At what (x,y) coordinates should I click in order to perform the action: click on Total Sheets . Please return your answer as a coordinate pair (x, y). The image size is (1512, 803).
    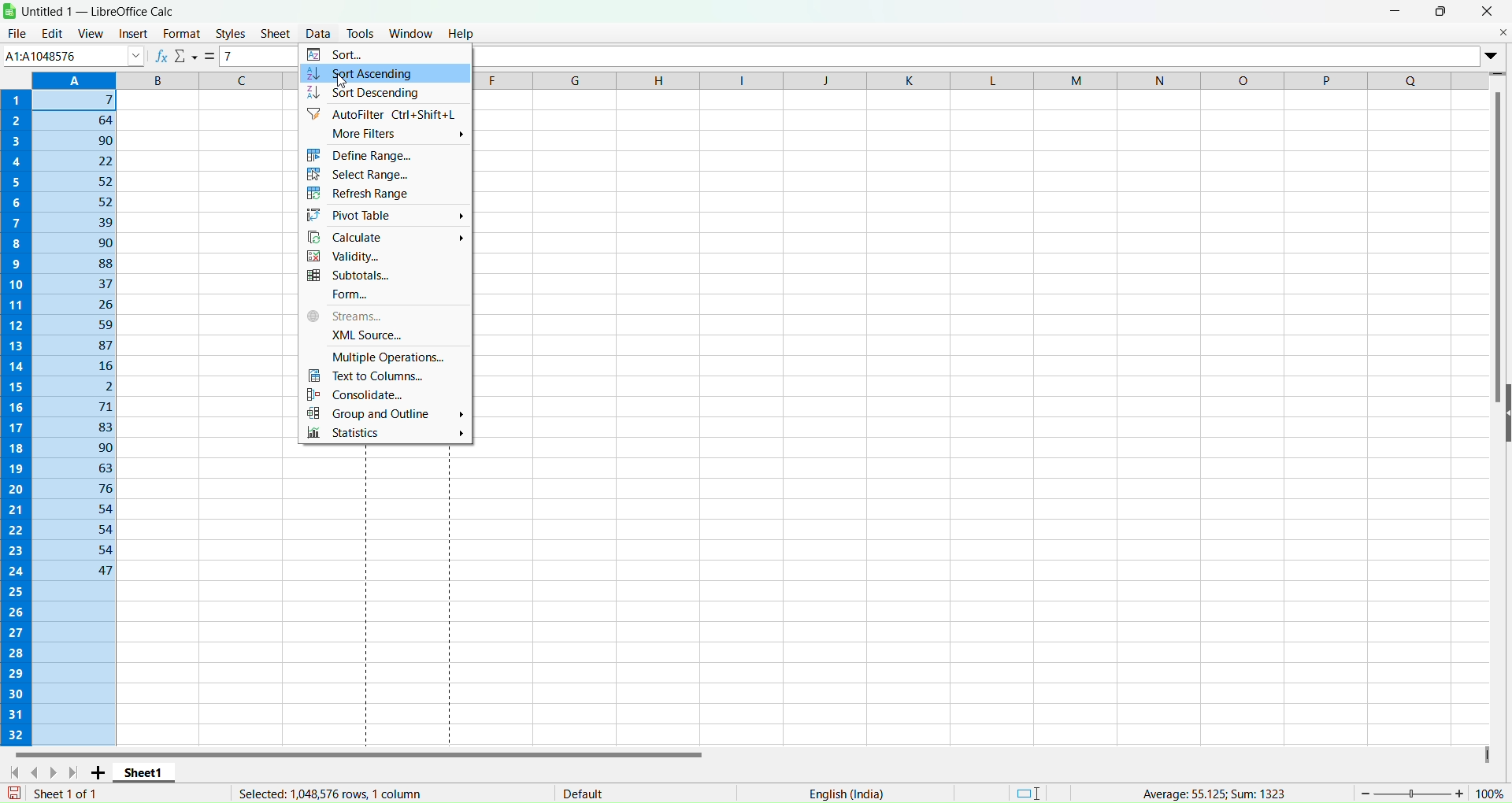
    Looking at the image, I should click on (71, 791).